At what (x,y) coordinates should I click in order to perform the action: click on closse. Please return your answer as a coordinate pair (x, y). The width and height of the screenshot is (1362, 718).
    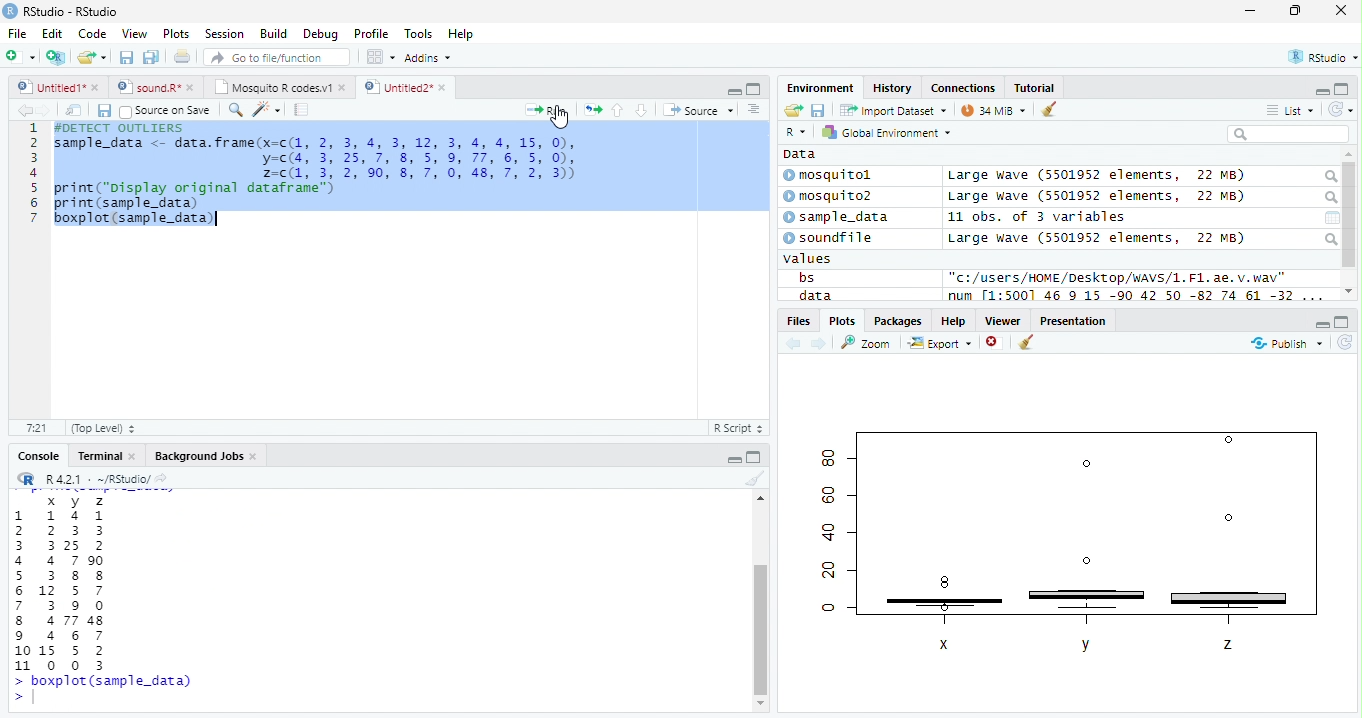
    Looking at the image, I should click on (1342, 10).